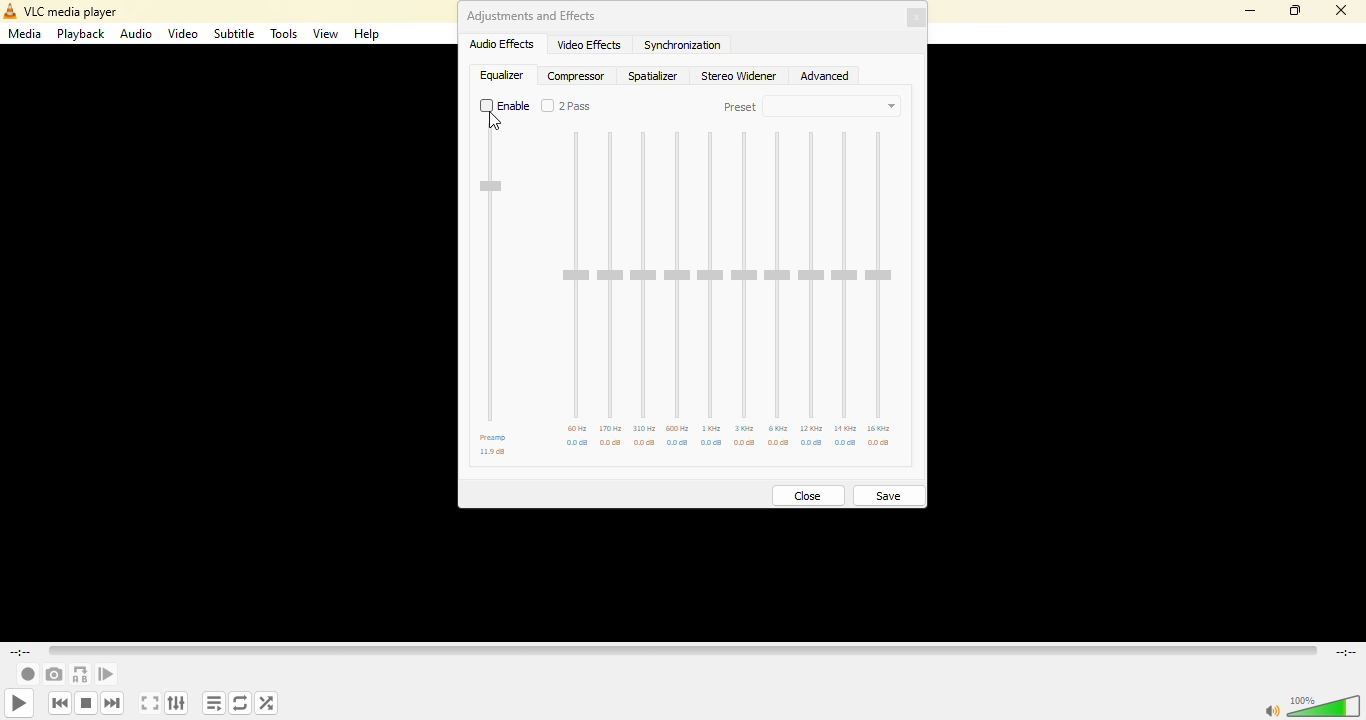 Image resolution: width=1366 pixels, height=720 pixels. I want to click on 60 hz, so click(577, 429).